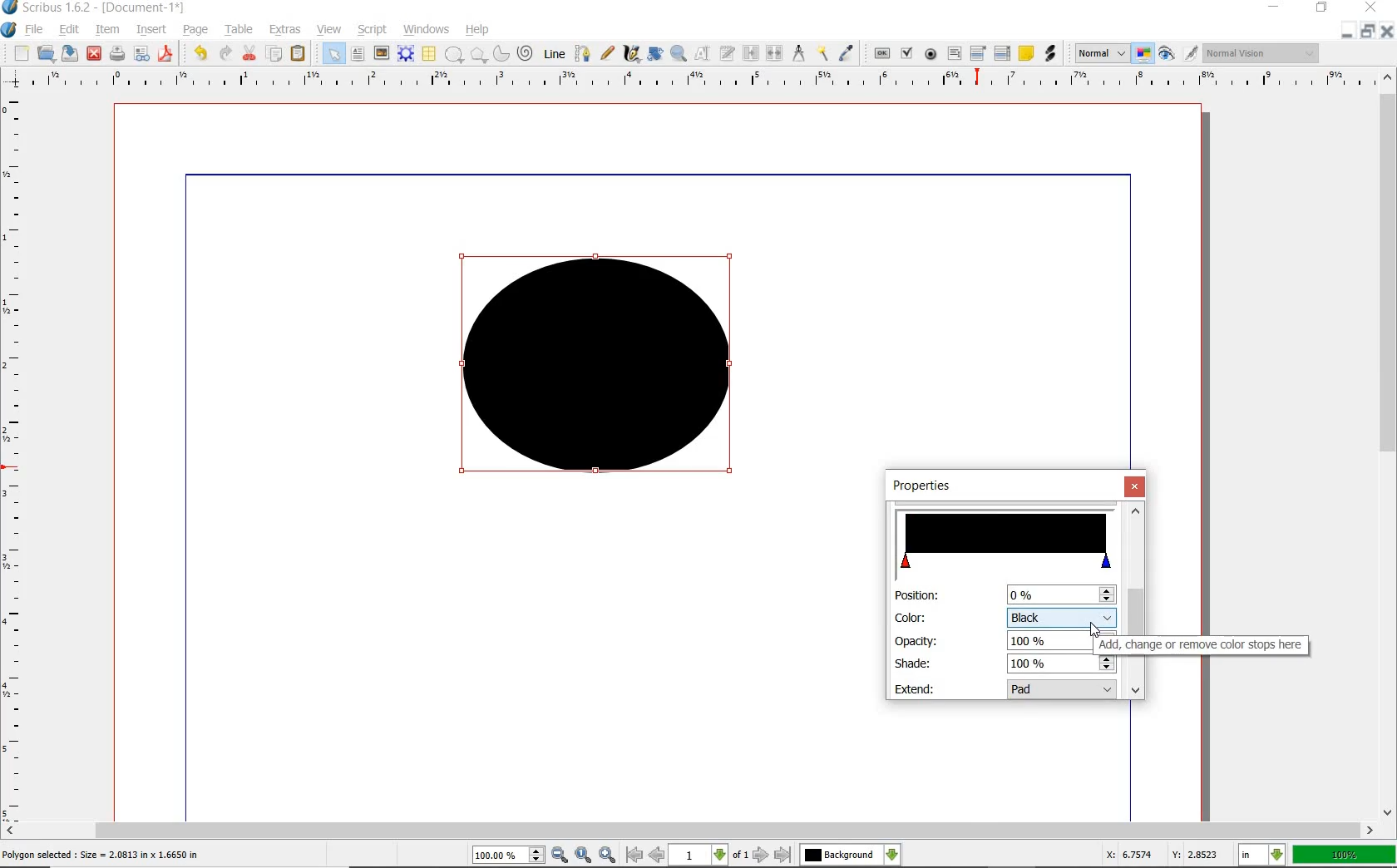  What do you see at coordinates (9, 30) in the screenshot?
I see `SYSTEM LOGO` at bounding box center [9, 30].